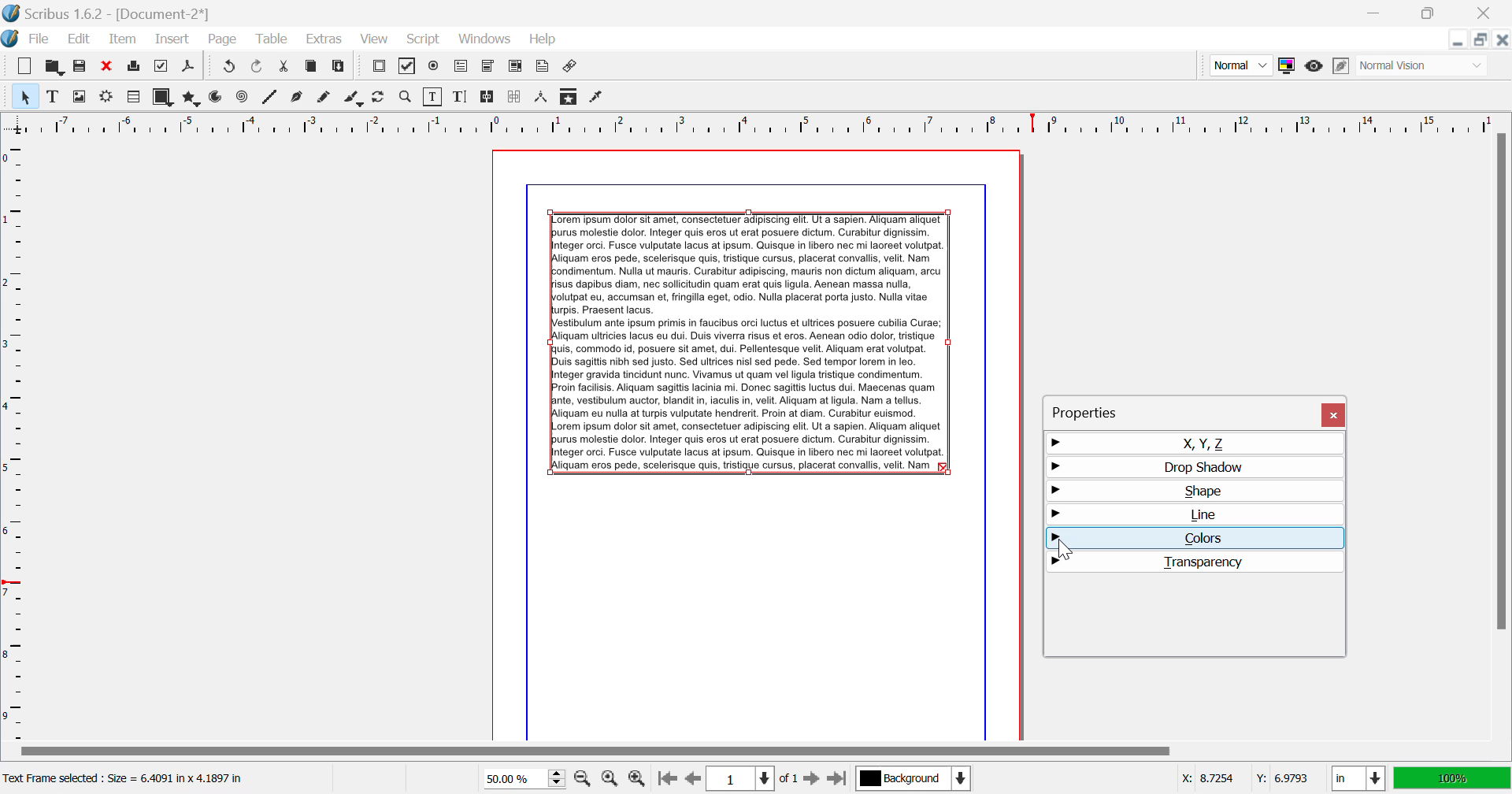 This screenshot has width=1512, height=794. Describe the element at coordinates (1194, 539) in the screenshot. I see `Colors` at that location.